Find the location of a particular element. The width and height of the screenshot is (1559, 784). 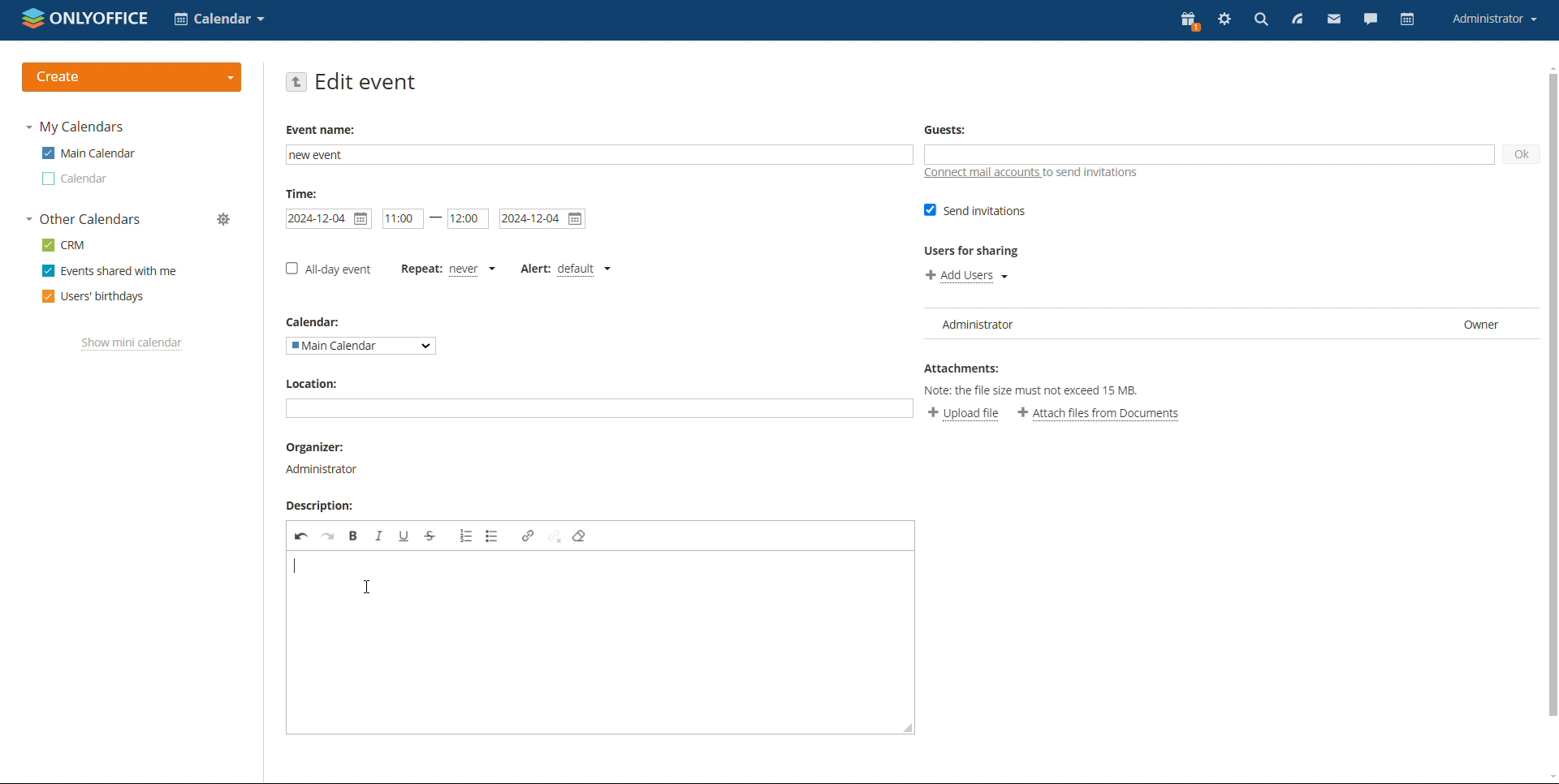

strikethrough is located at coordinates (430, 535).